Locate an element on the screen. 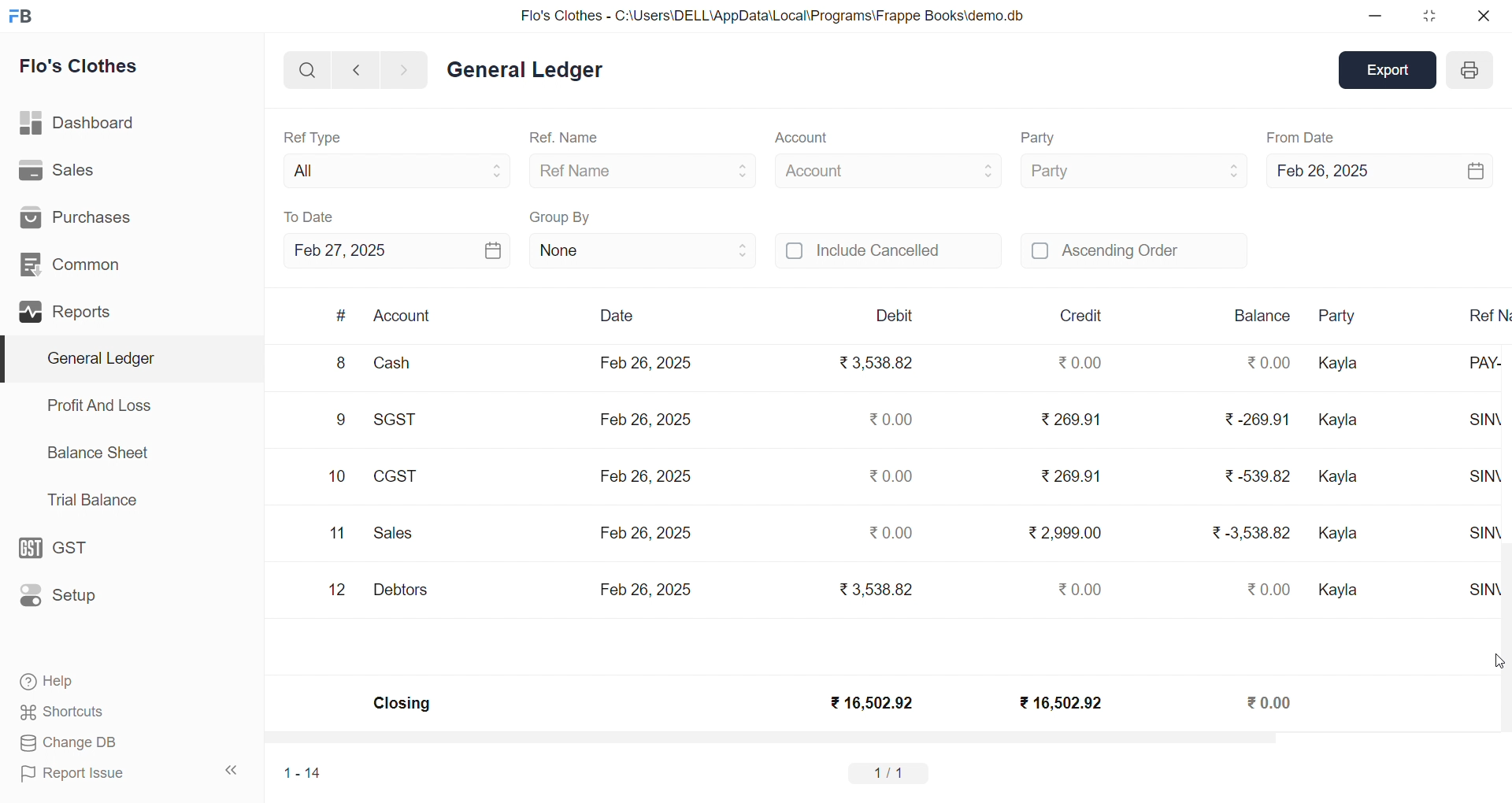 This screenshot has width=1512, height=803. ₹0.00 is located at coordinates (1273, 589).